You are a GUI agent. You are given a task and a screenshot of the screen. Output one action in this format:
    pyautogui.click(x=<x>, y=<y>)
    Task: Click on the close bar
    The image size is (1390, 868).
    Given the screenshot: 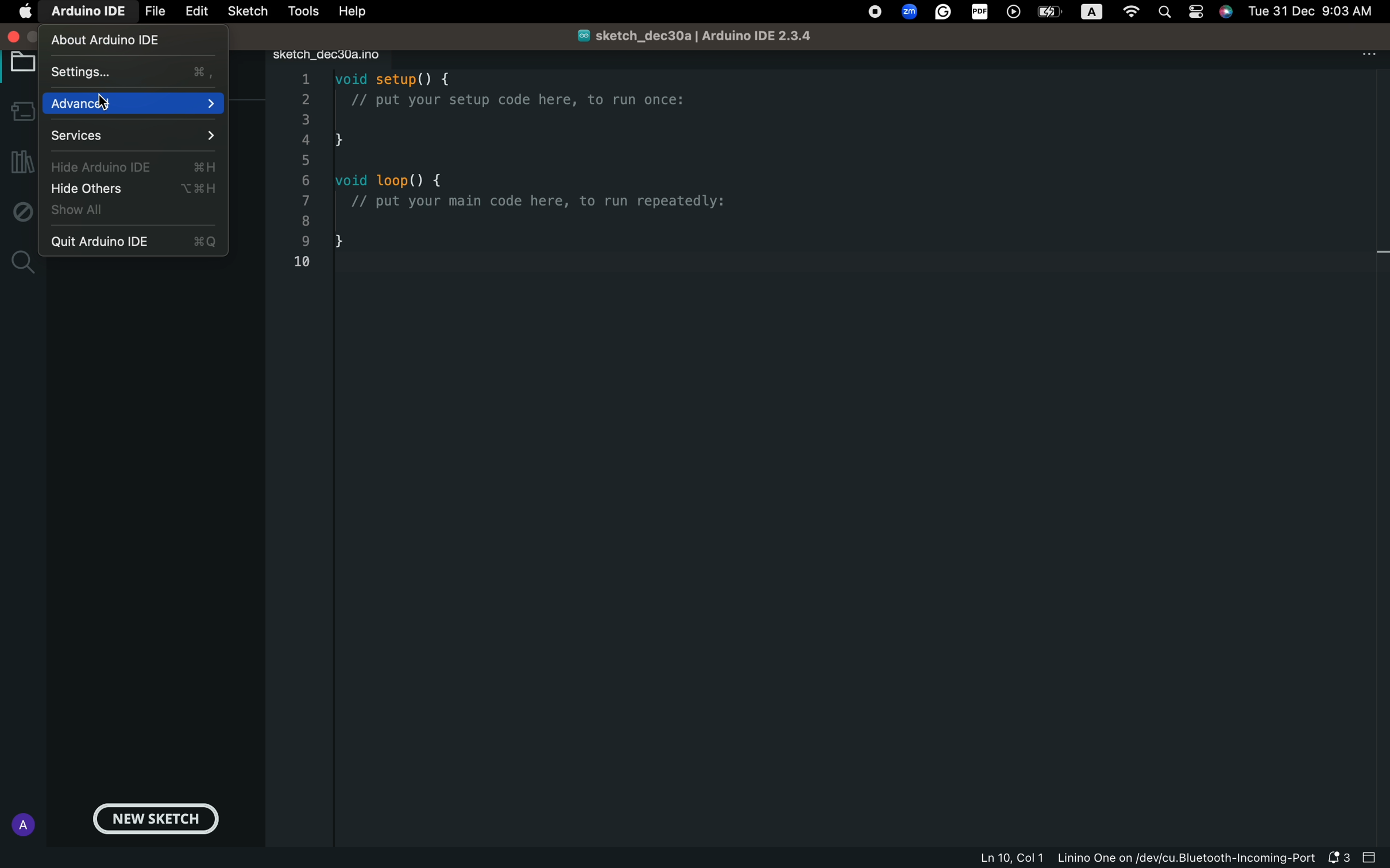 What is the action you would take?
    pyautogui.click(x=1371, y=858)
    